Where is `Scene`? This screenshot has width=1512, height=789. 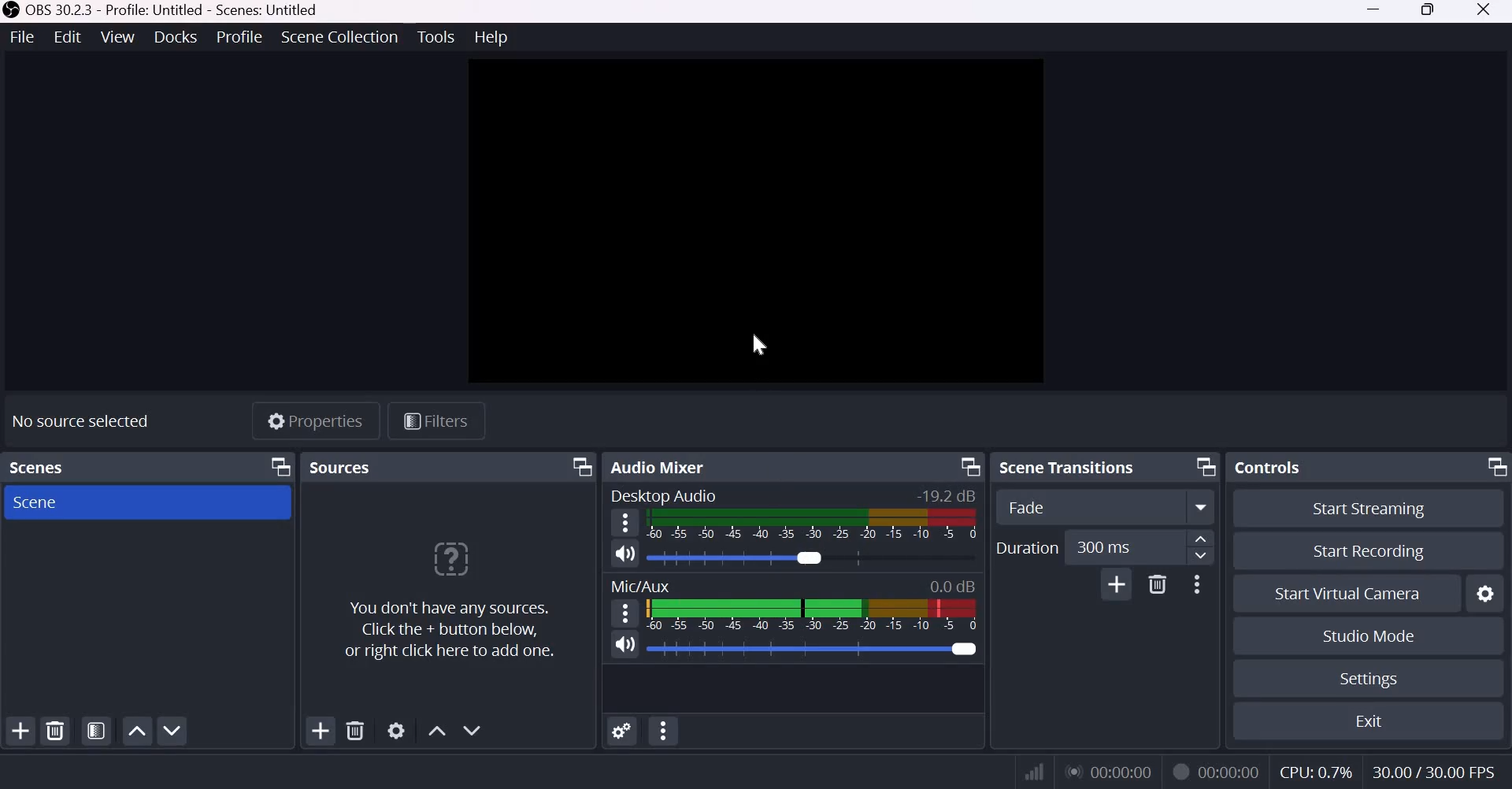
Scene is located at coordinates (56, 502).